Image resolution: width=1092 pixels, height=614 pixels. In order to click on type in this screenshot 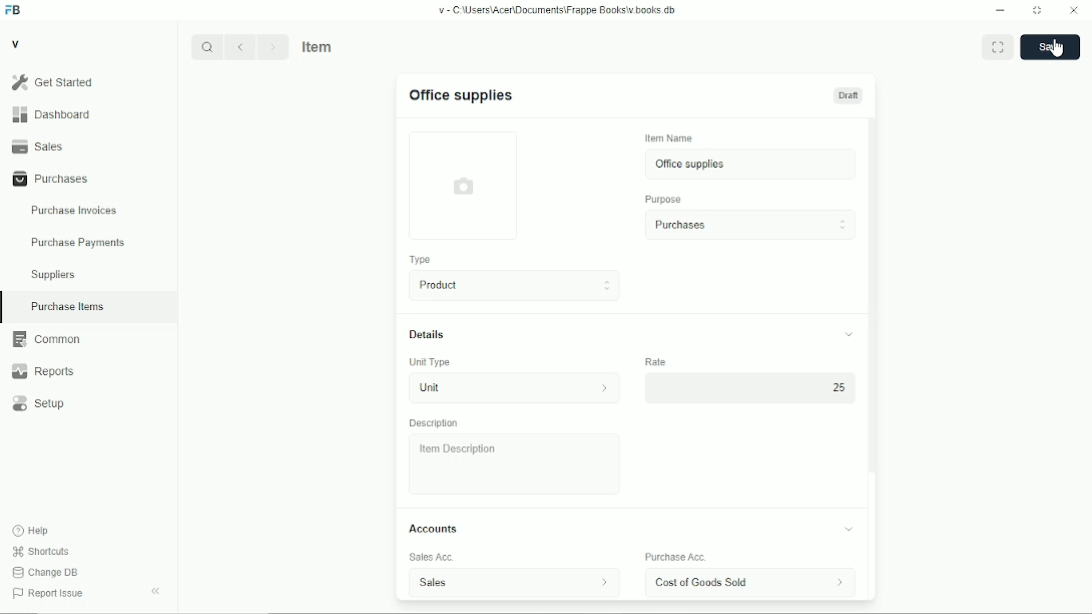, I will do `click(422, 260)`.